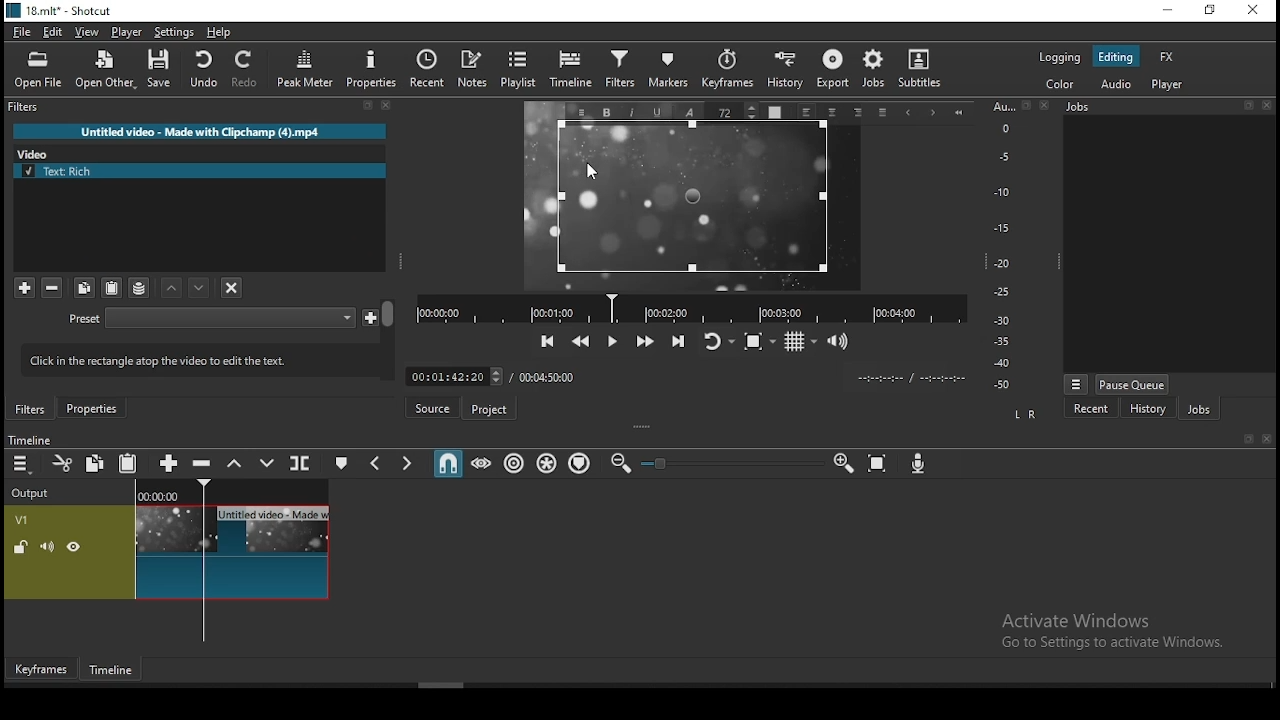 The width and height of the screenshot is (1280, 720). What do you see at coordinates (1248, 105) in the screenshot?
I see `Detach` at bounding box center [1248, 105].